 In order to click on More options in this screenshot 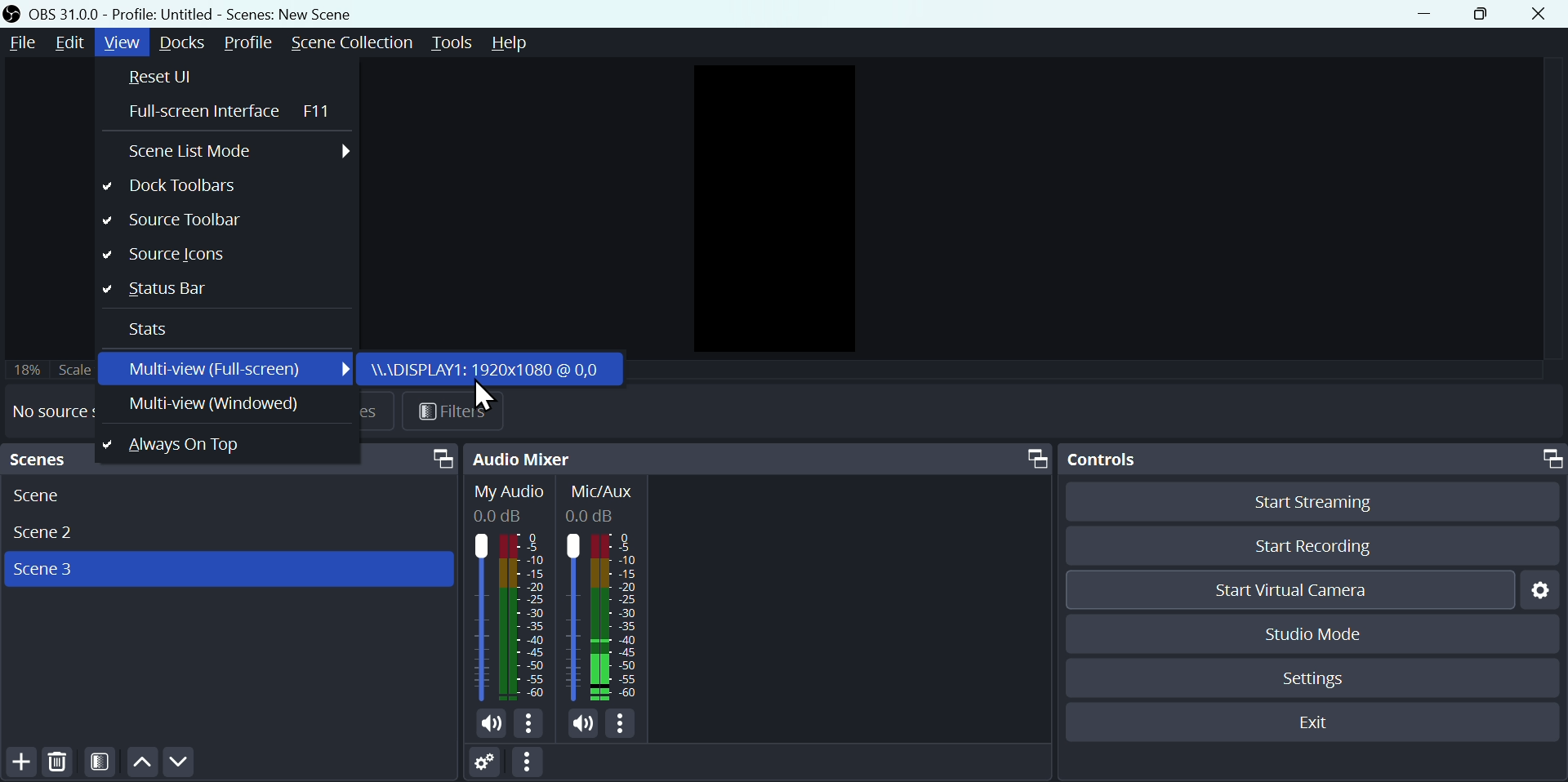, I will do `click(531, 725)`.